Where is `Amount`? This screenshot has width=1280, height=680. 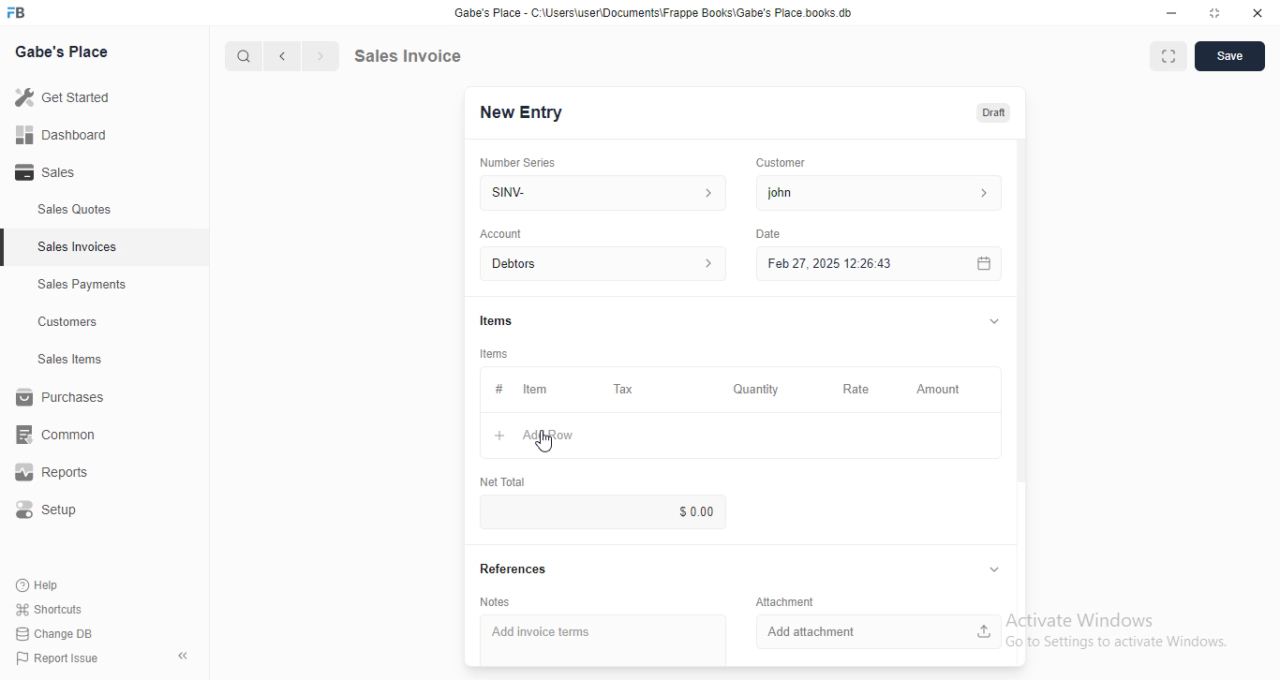 Amount is located at coordinates (943, 390).